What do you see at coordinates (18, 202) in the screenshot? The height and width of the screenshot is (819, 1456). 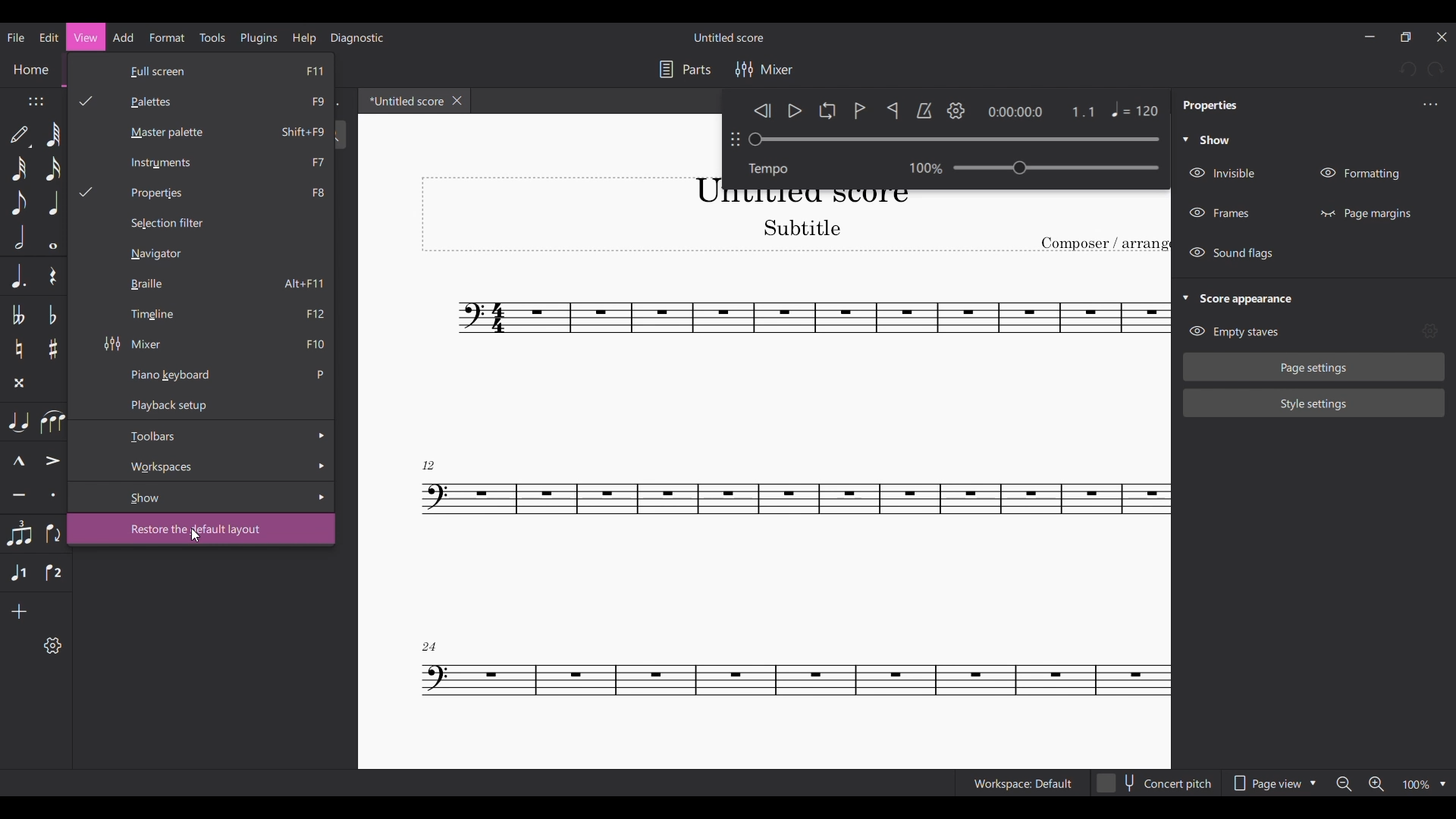 I see `Eighth note` at bounding box center [18, 202].